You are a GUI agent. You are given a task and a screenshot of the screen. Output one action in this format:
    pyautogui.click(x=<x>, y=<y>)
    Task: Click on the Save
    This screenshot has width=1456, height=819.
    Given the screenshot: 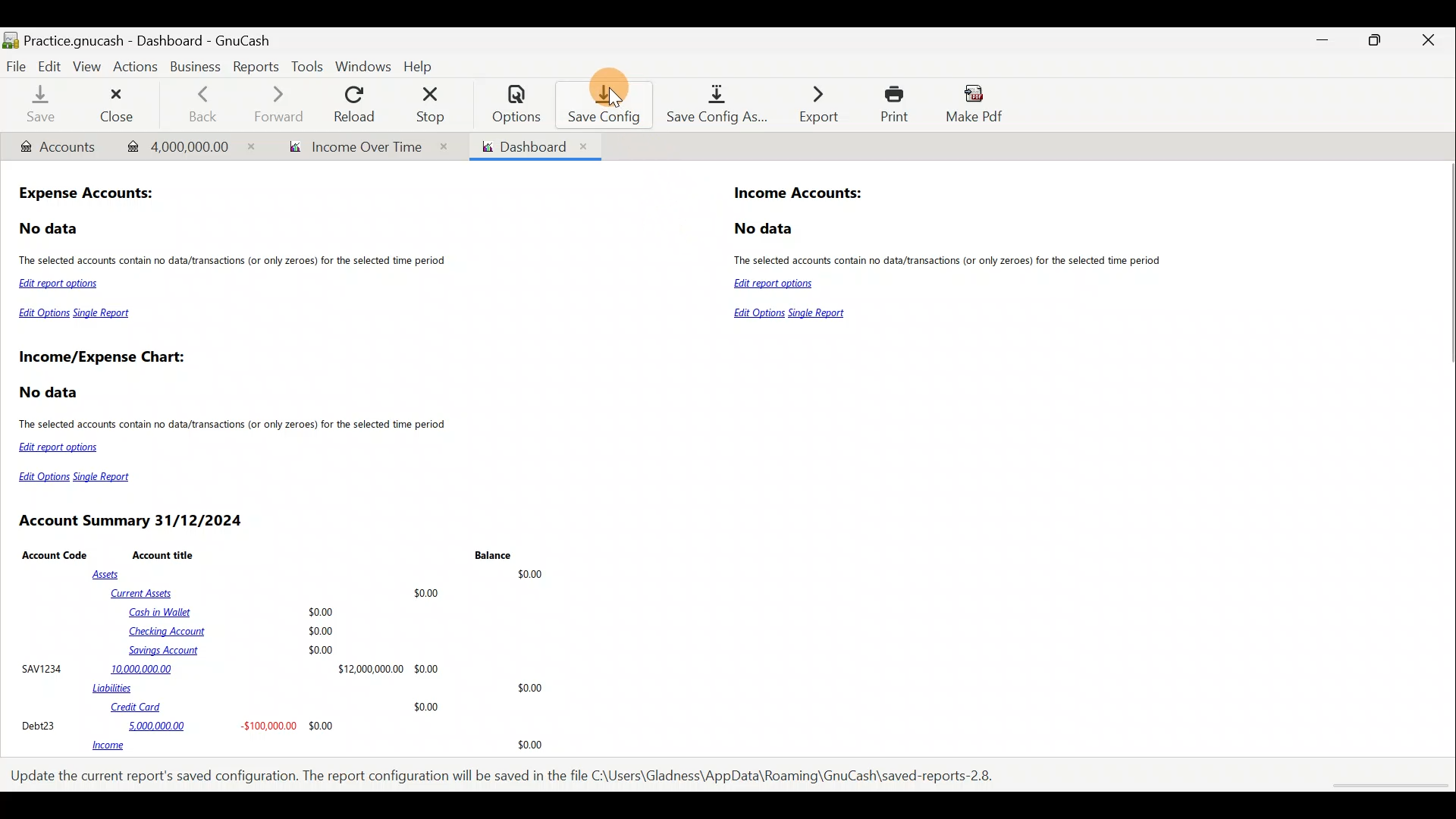 What is the action you would take?
    pyautogui.click(x=40, y=106)
    